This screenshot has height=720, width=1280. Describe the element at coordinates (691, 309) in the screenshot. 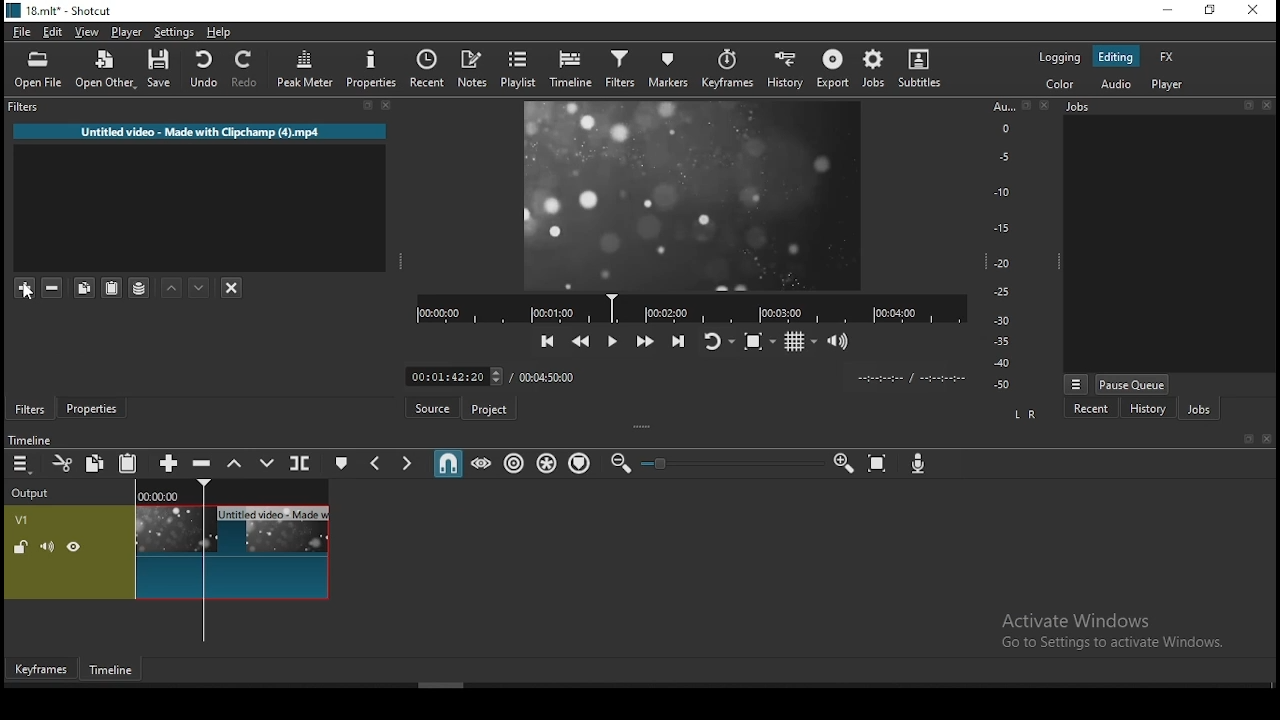

I see `Timeline Navigator` at that location.